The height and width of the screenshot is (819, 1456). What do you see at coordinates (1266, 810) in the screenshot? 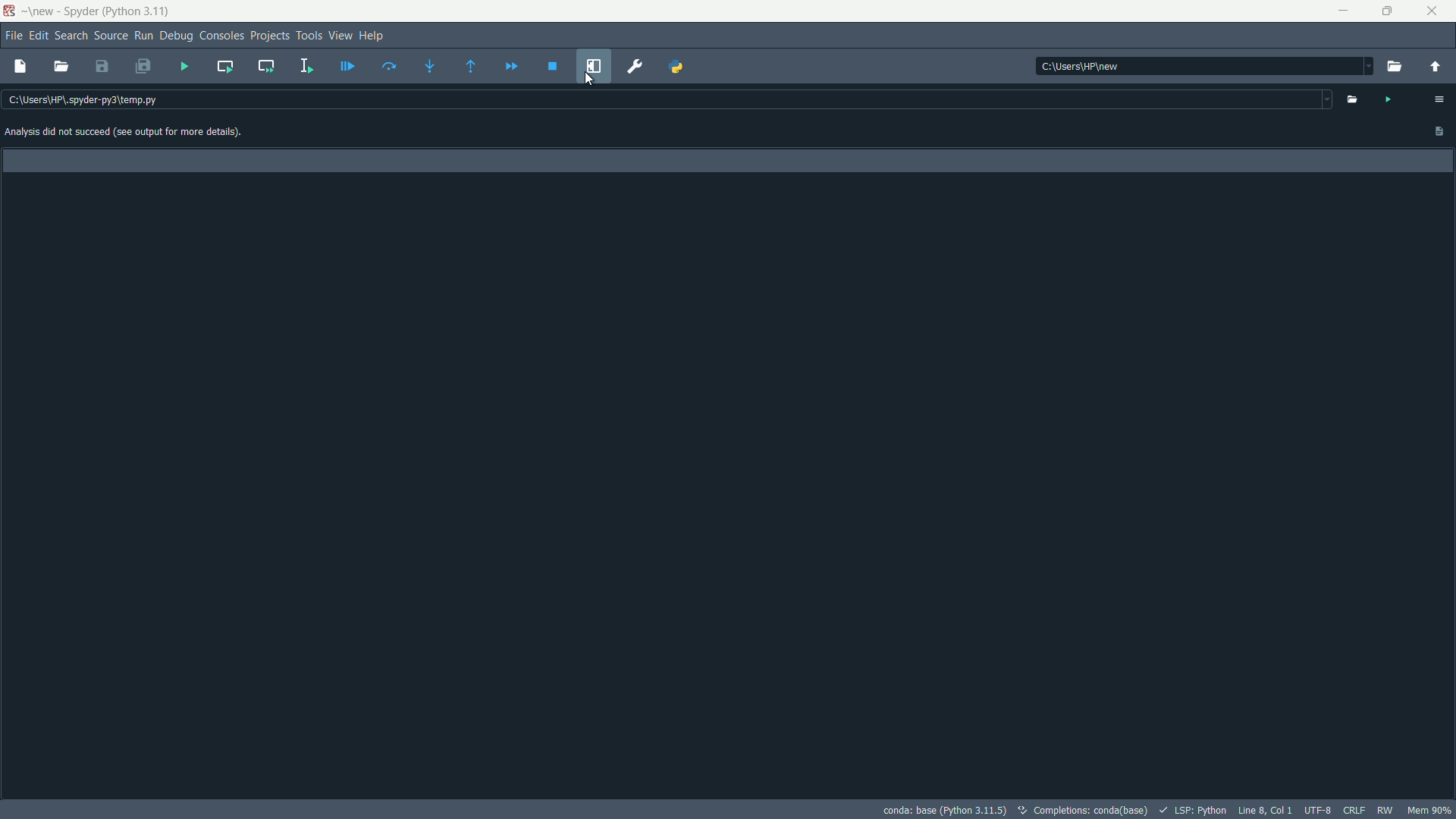
I see `Line 8, Col 1` at bounding box center [1266, 810].